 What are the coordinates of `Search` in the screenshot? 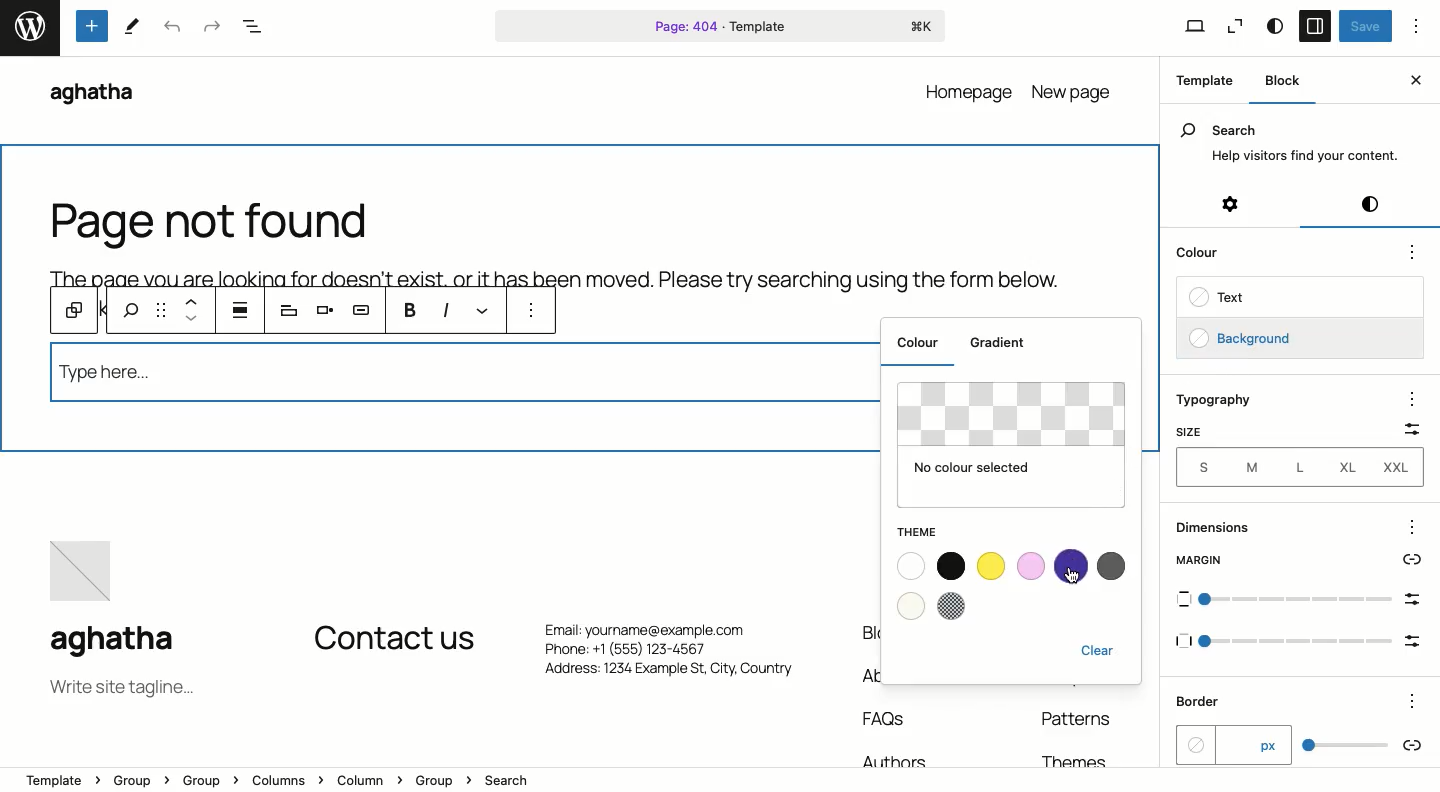 It's located at (464, 379).